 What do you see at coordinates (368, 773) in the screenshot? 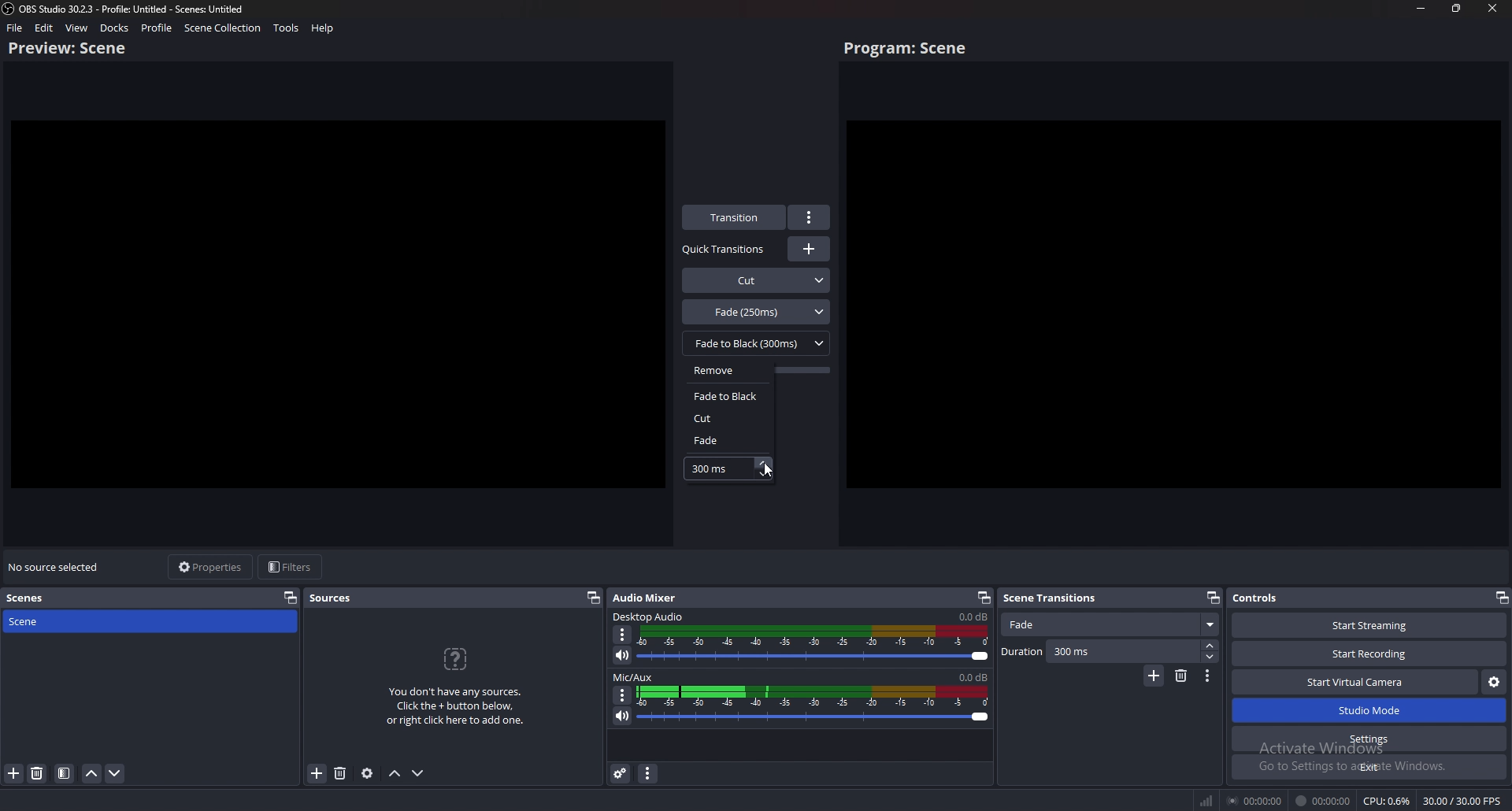
I see `Sources settings` at bounding box center [368, 773].